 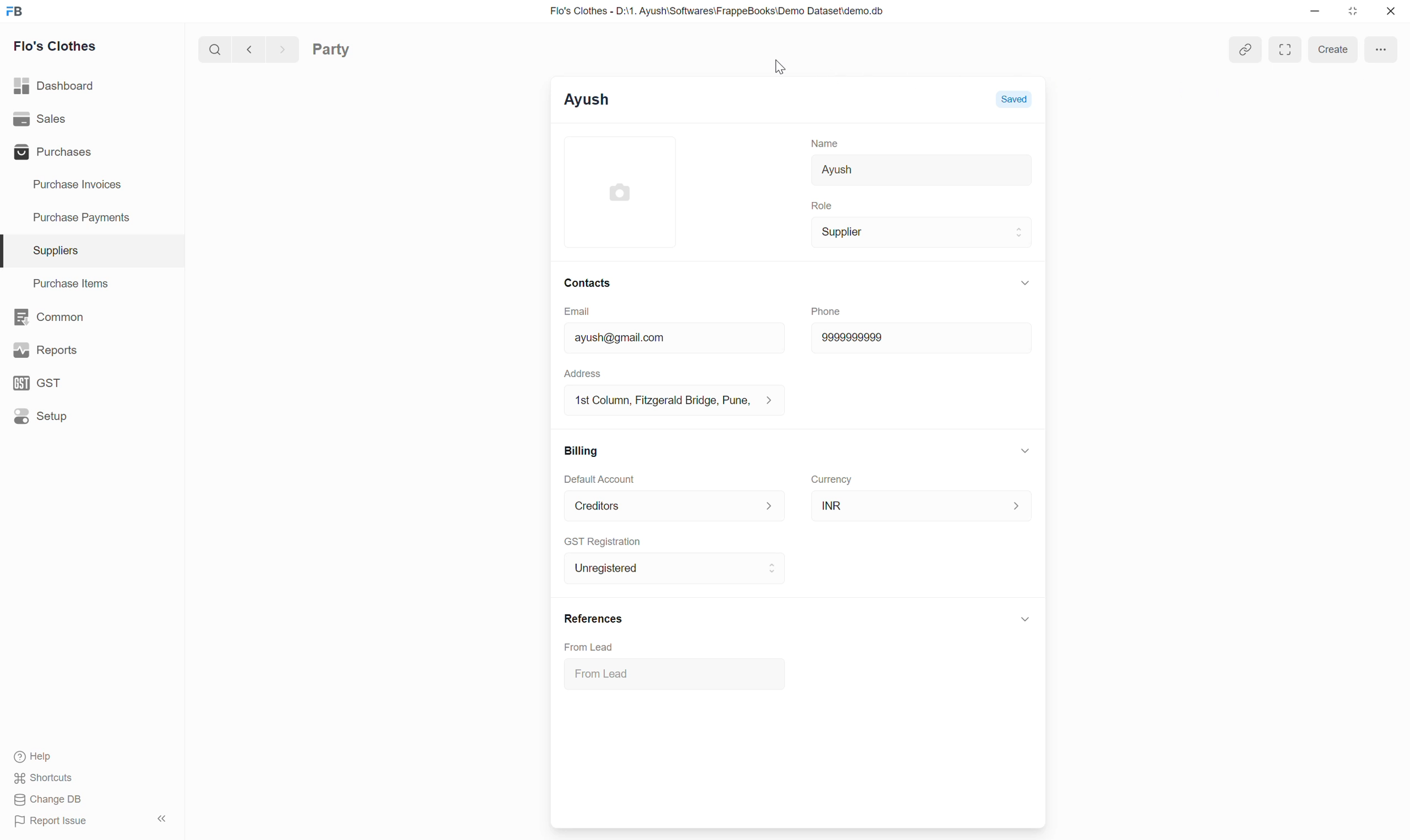 I want to click on Purchases, so click(x=91, y=152).